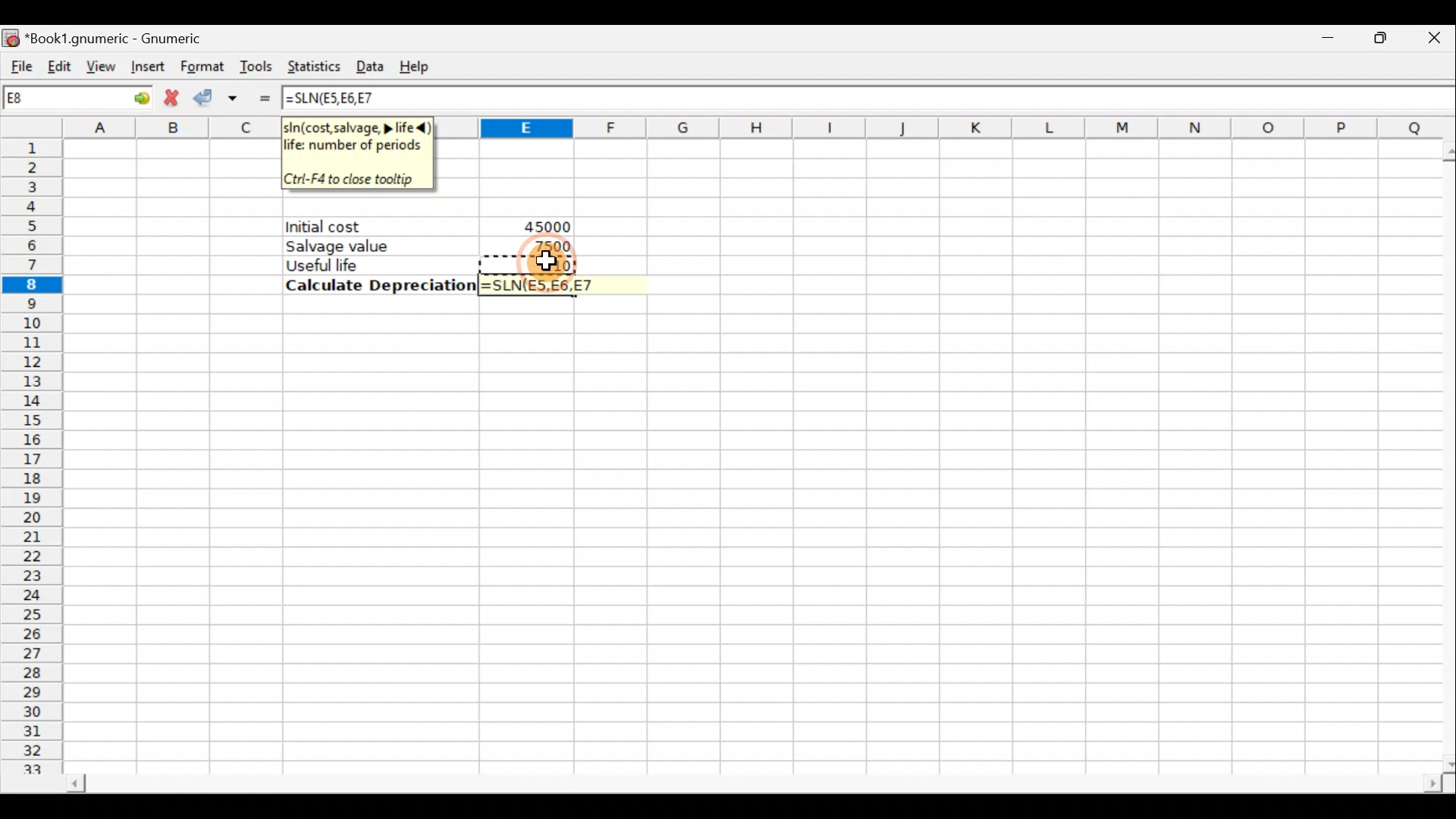 The image size is (1456, 819). Describe the element at coordinates (739, 780) in the screenshot. I see `Scroll bar` at that location.